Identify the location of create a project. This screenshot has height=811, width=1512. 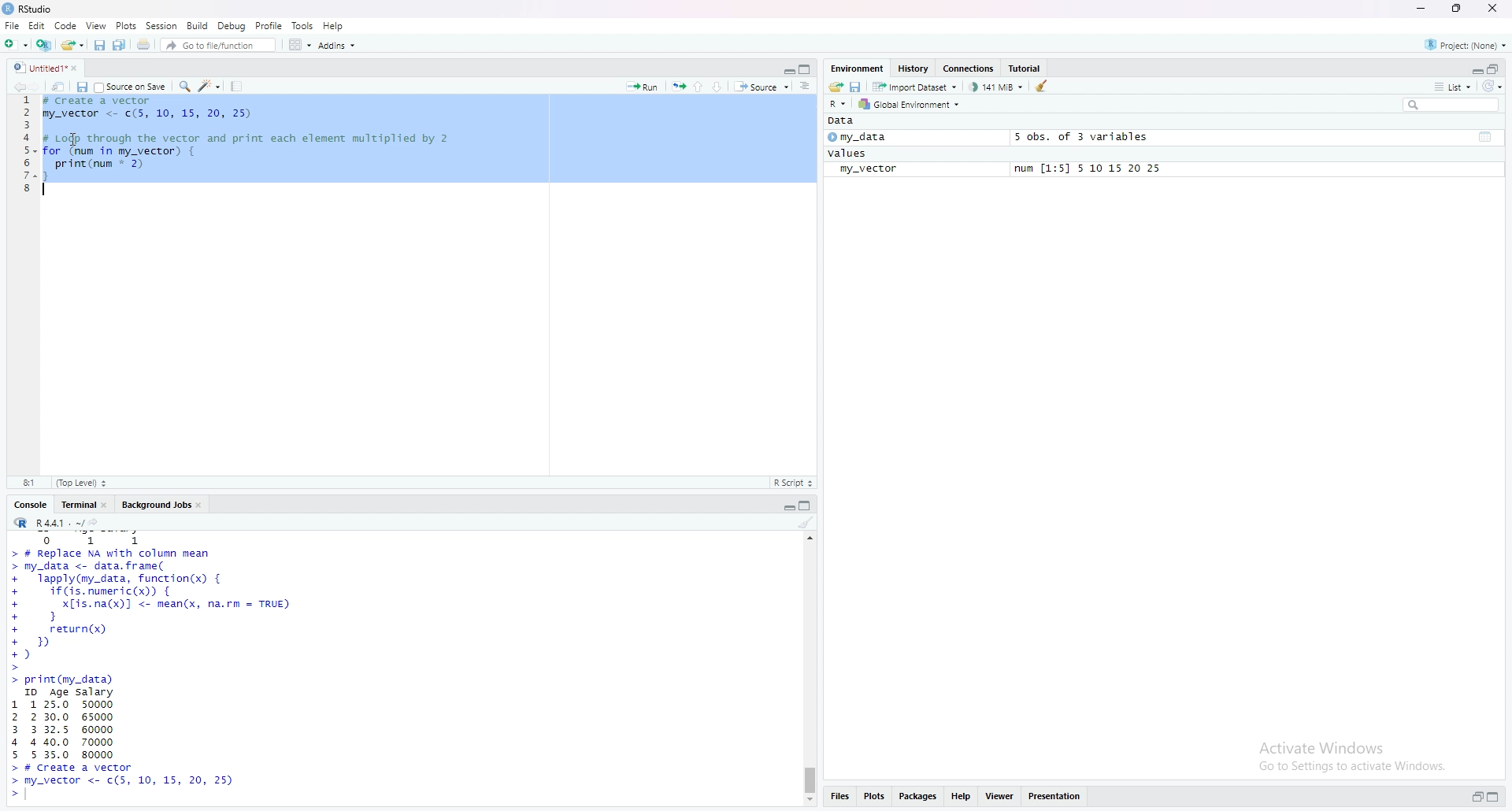
(45, 45).